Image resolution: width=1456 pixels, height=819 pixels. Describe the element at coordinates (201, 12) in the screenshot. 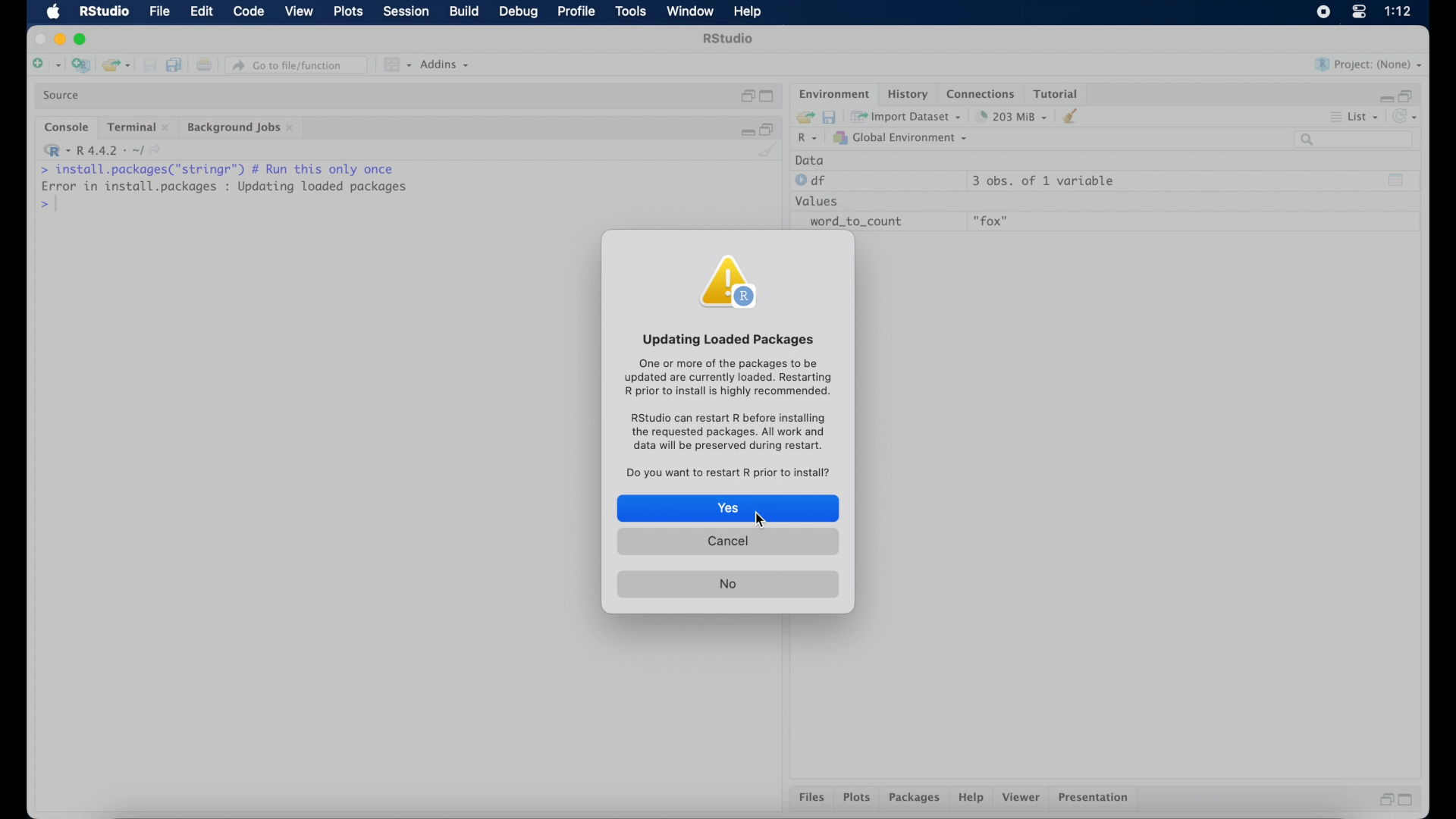

I see `edit` at that location.